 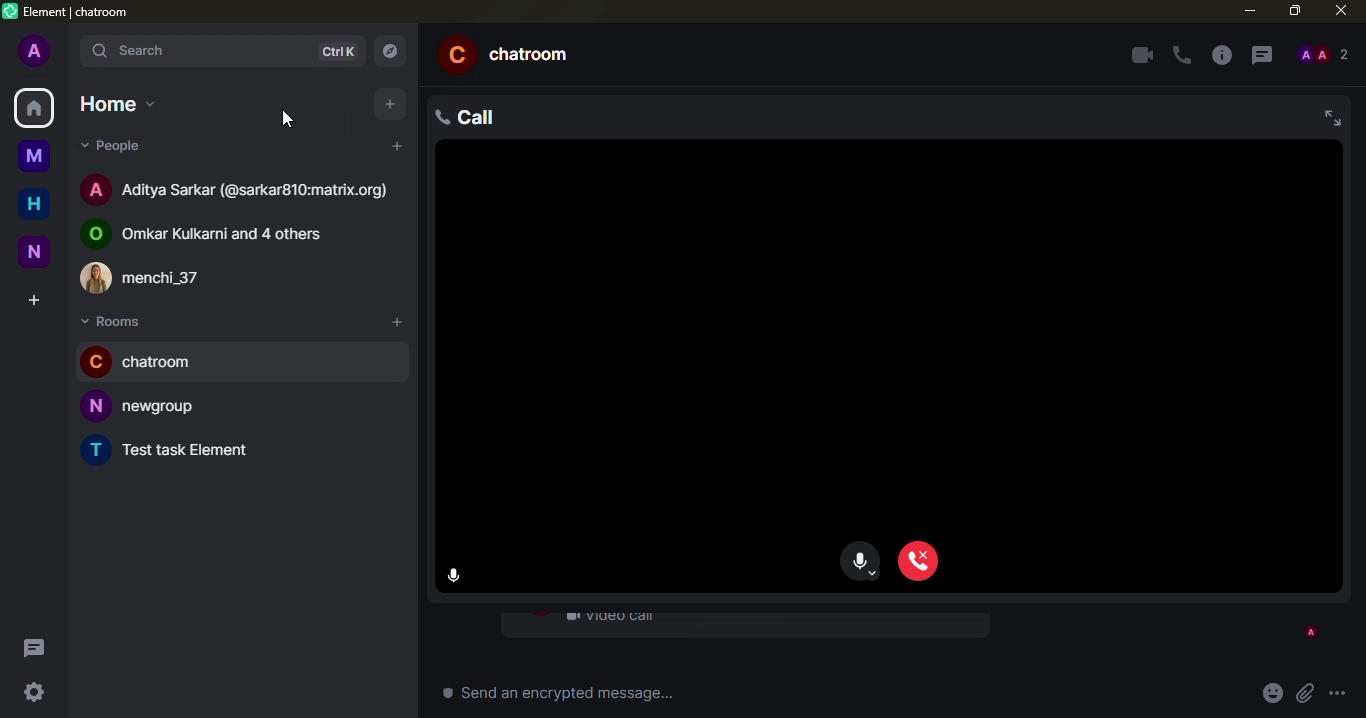 What do you see at coordinates (35, 696) in the screenshot?
I see `quick settings` at bounding box center [35, 696].